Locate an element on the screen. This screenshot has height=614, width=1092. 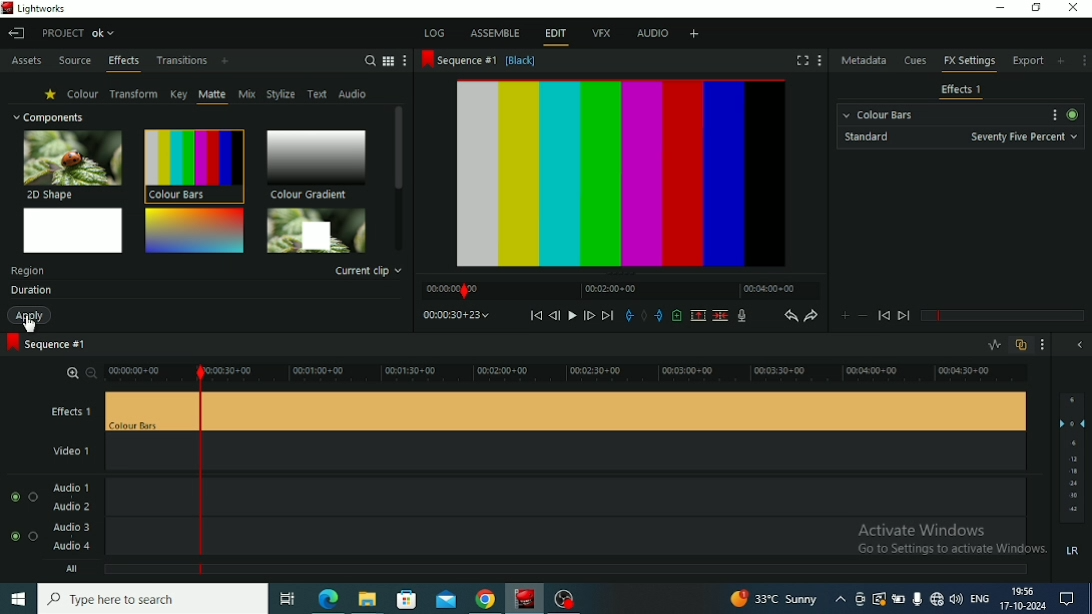
Move backward is located at coordinates (536, 315).